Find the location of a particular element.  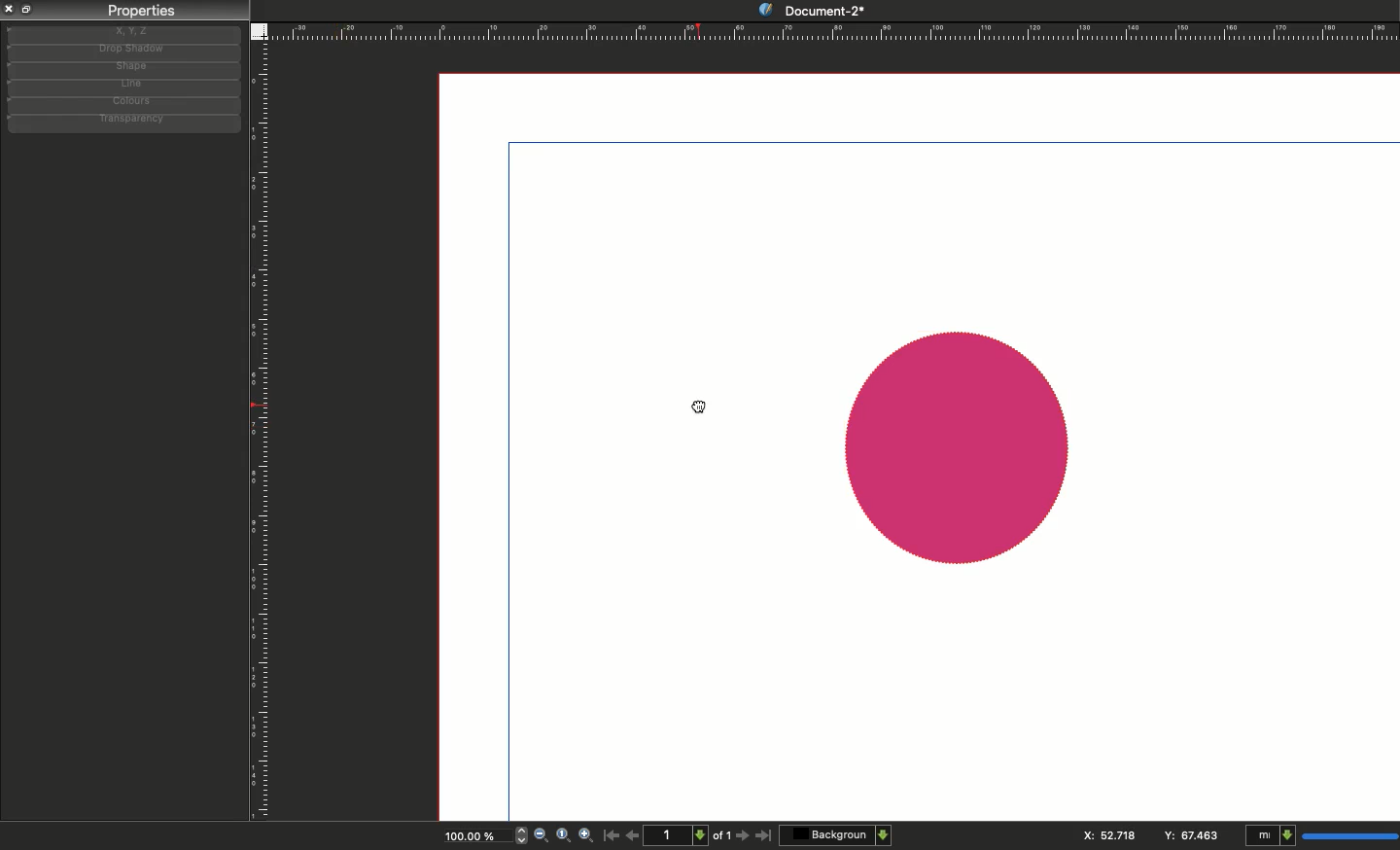

Zoom in is located at coordinates (587, 836).